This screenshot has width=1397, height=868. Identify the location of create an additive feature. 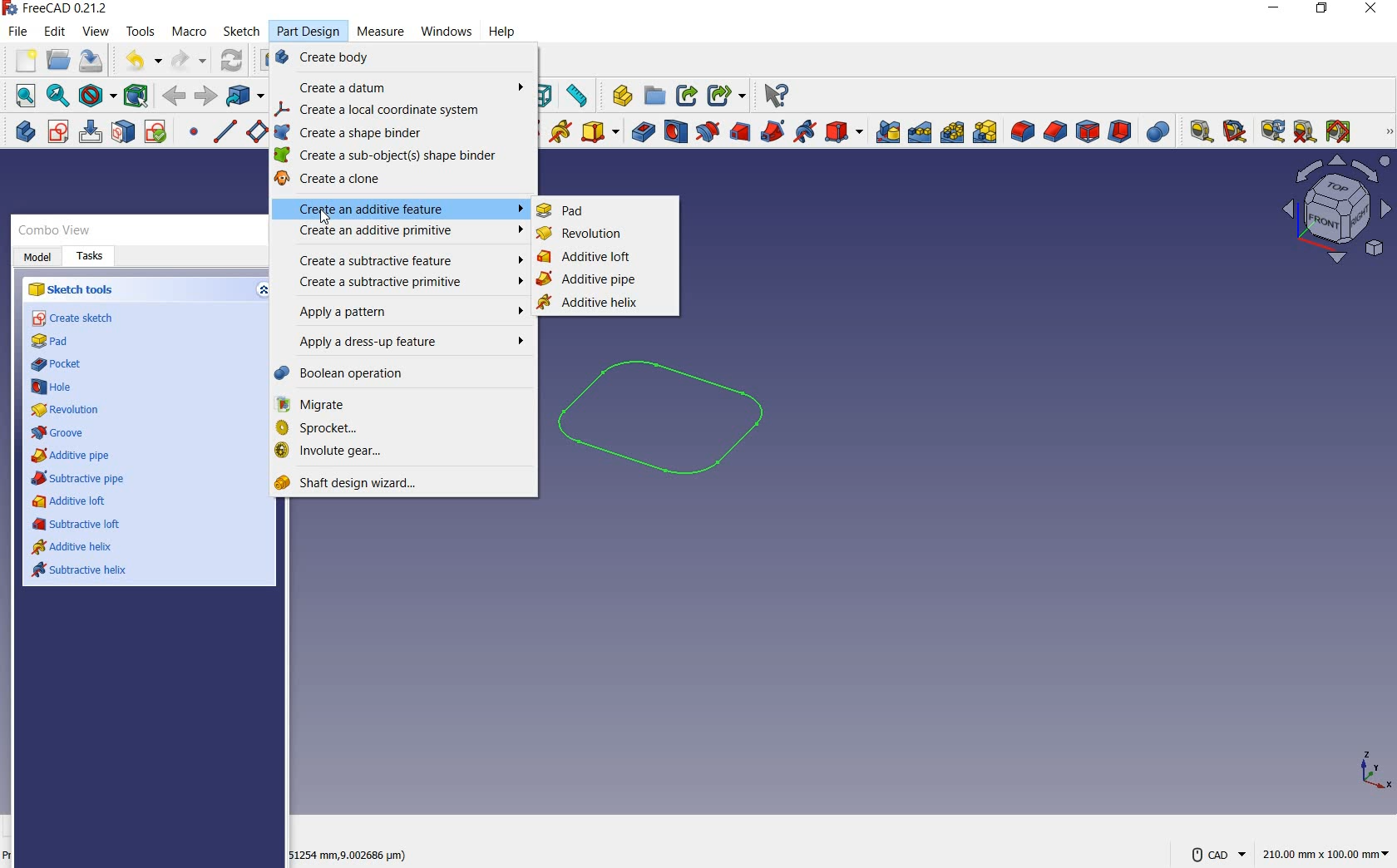
(402, 209).